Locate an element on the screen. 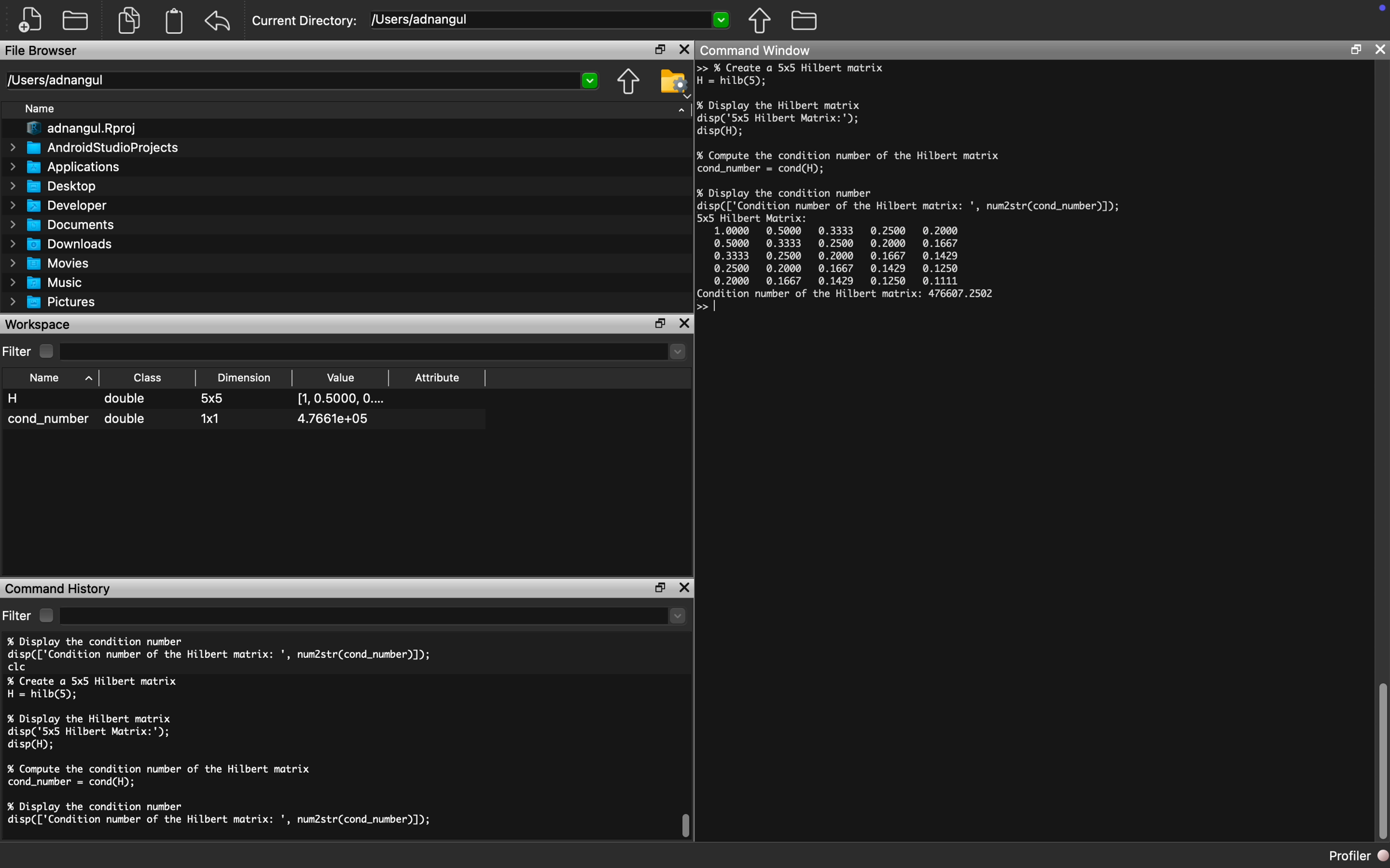  Pictures is located at coordinates (55, 301).